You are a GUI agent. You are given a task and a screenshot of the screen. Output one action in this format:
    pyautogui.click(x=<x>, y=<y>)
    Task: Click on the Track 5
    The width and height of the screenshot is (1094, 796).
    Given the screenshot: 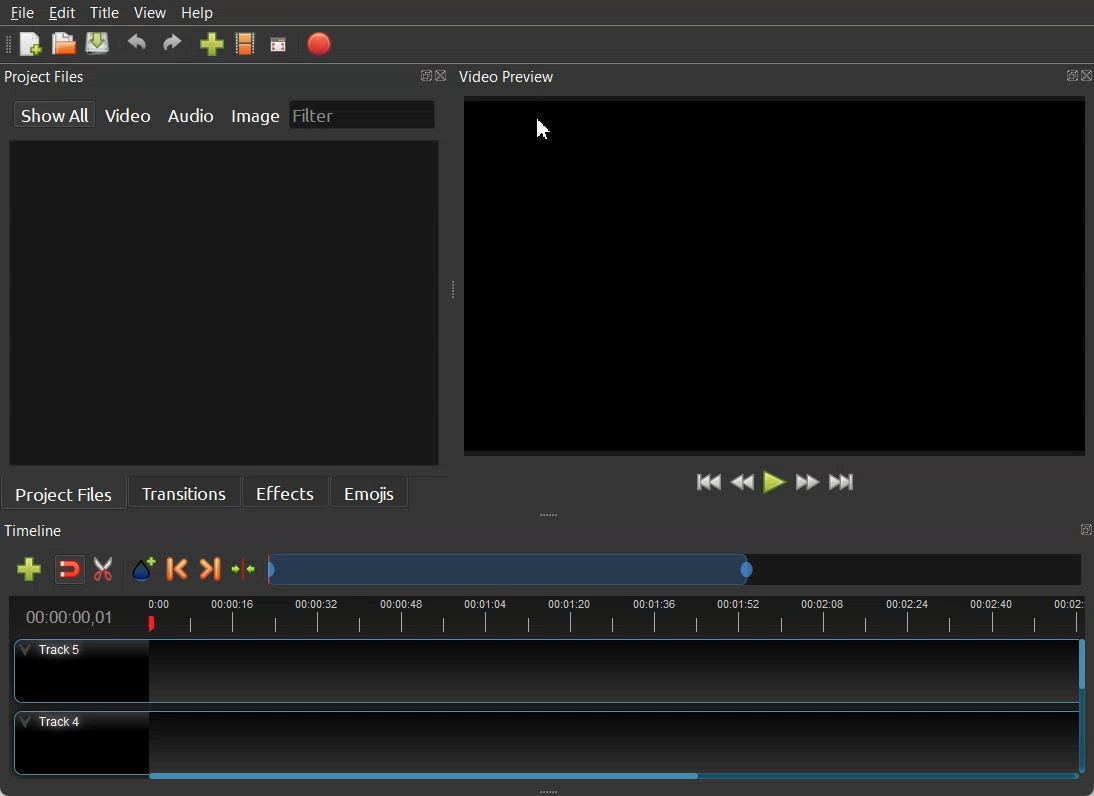 What is the action you would take?
    pyautogui.click(x=541, y=673)
    